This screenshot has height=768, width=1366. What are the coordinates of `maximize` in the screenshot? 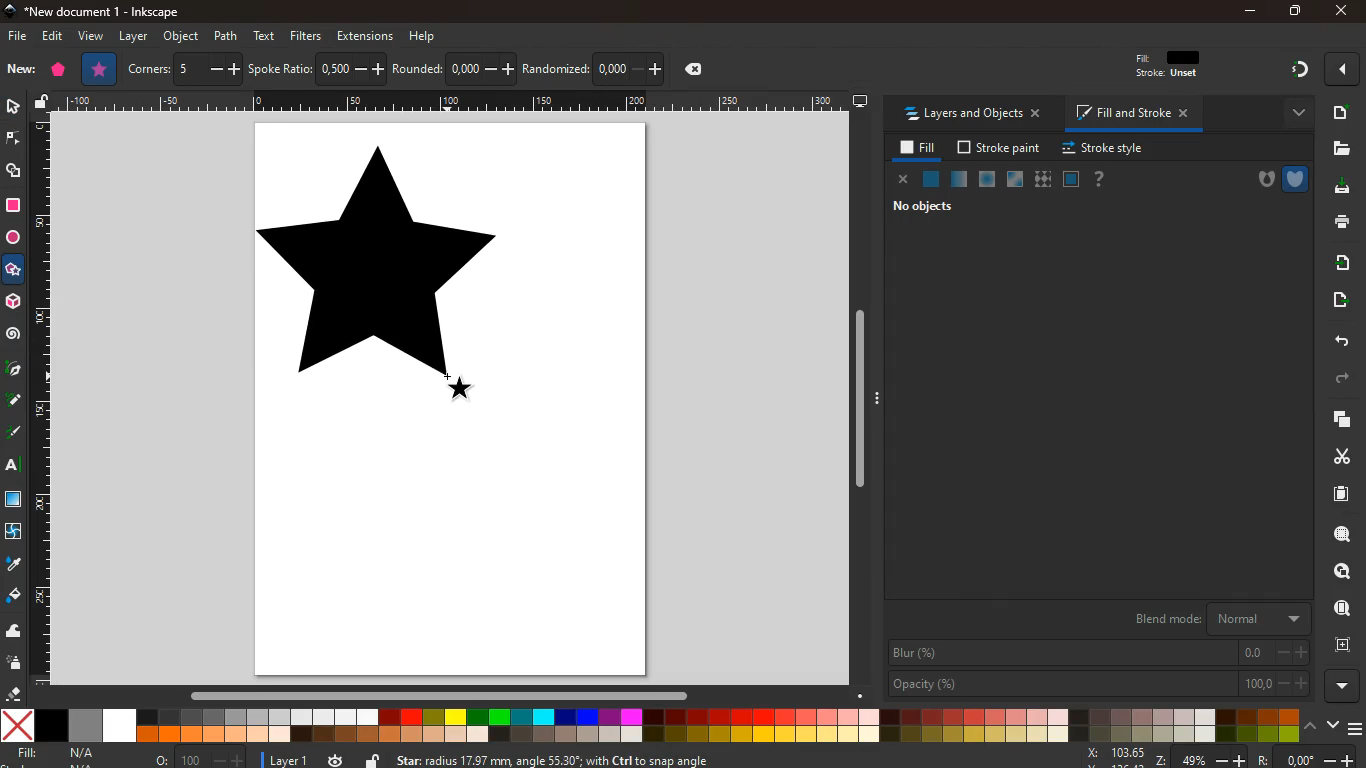 It's located at (1293, 9).